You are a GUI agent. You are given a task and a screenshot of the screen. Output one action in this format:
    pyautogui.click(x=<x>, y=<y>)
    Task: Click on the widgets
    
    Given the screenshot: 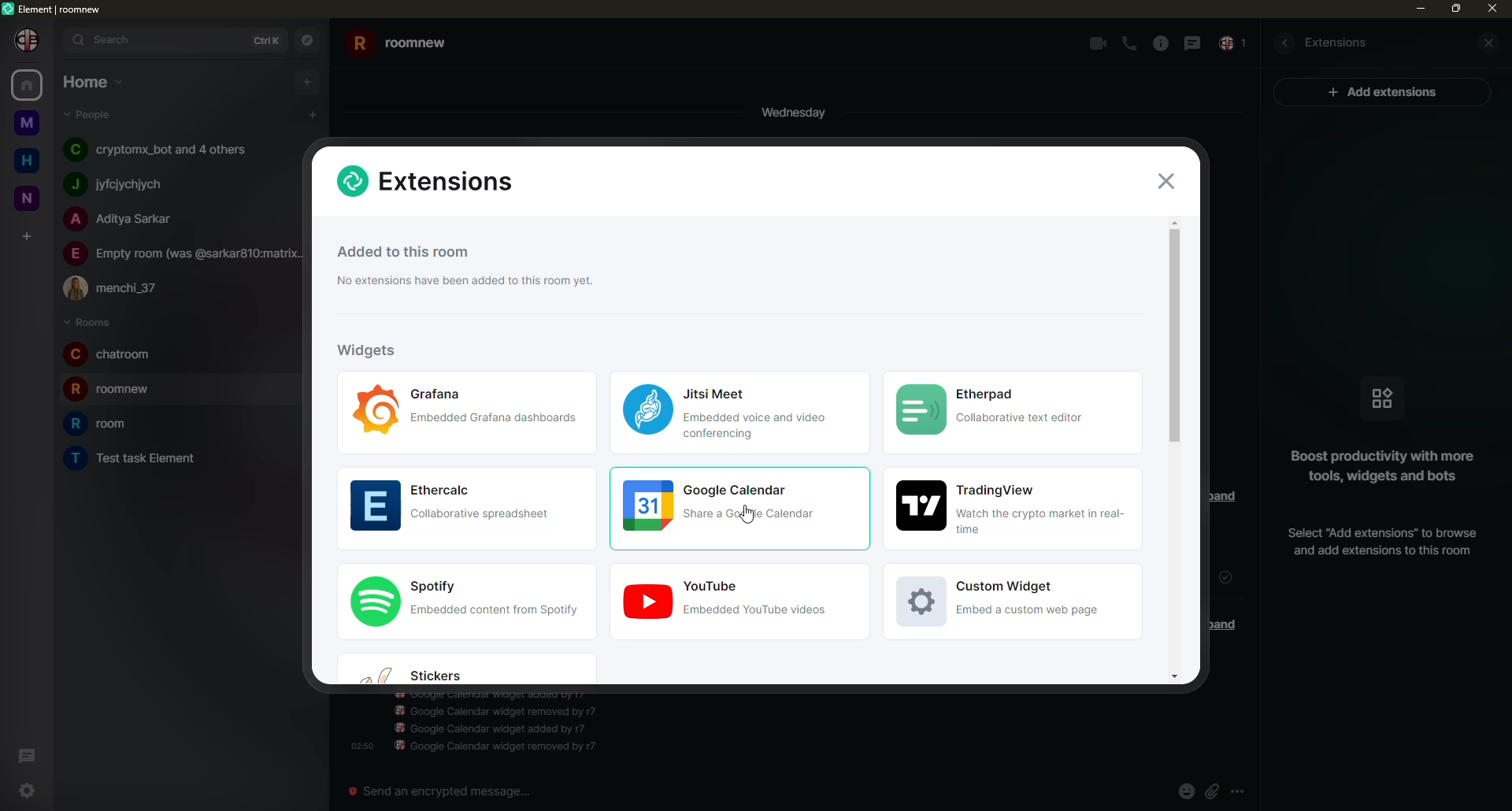 What is the action you would take?
    pyautogui.click(x=999, y=599)
    